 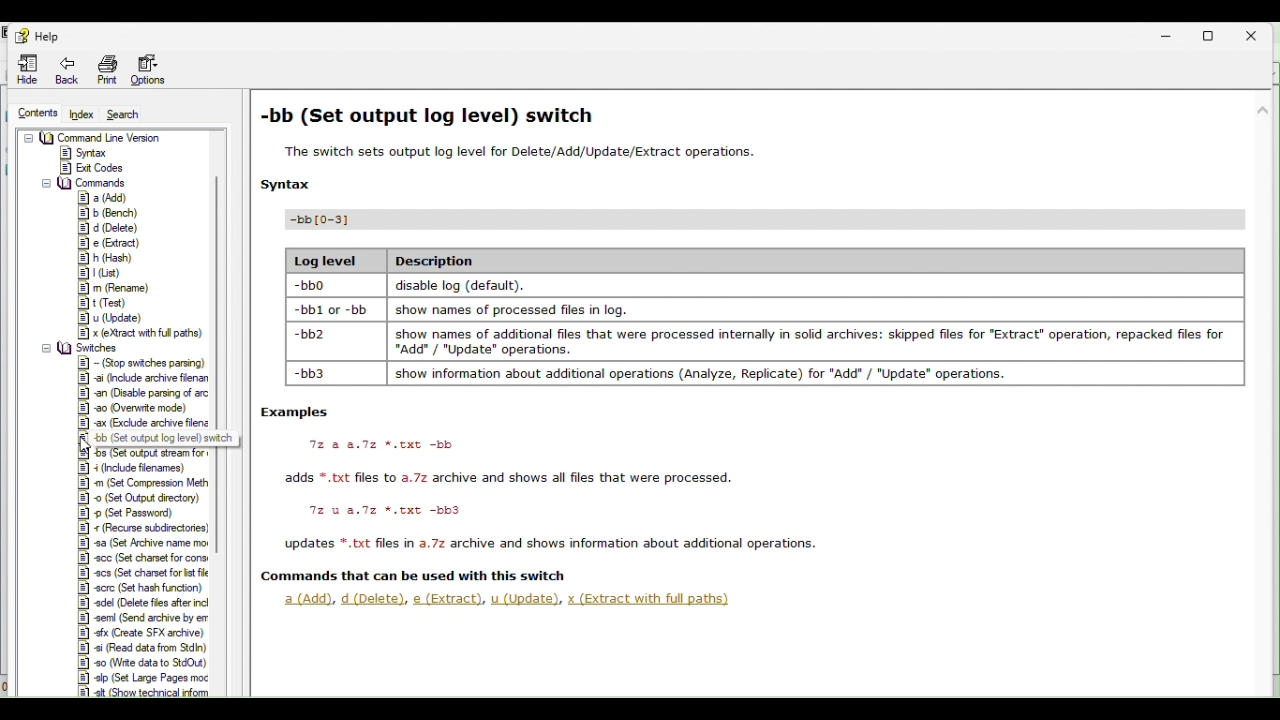 I want to click on 12] Exit Codes, so click(x=93, y=167).